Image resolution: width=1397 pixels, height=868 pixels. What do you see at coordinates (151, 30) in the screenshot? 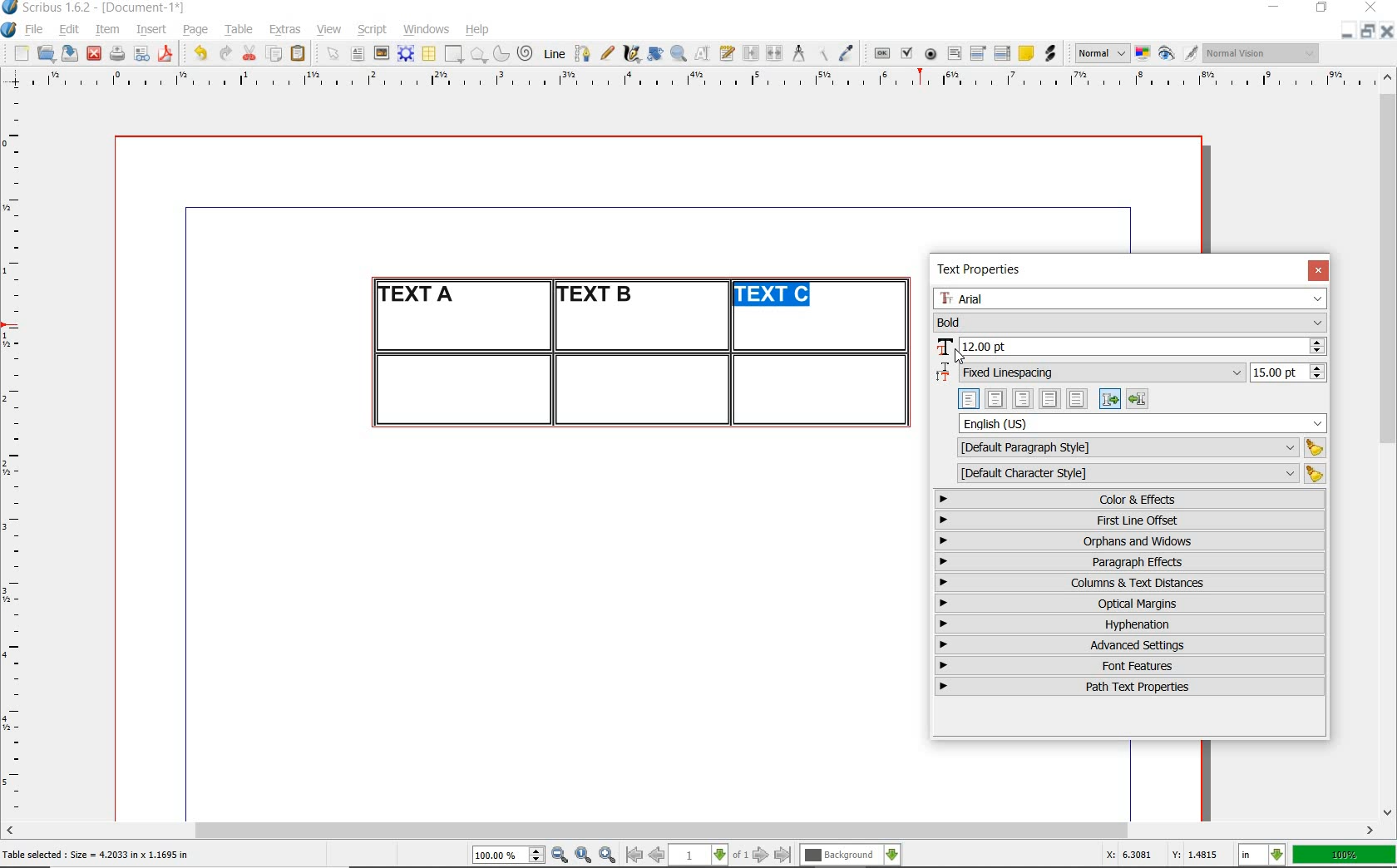
I see `insert` at bounding box center [151, 30].